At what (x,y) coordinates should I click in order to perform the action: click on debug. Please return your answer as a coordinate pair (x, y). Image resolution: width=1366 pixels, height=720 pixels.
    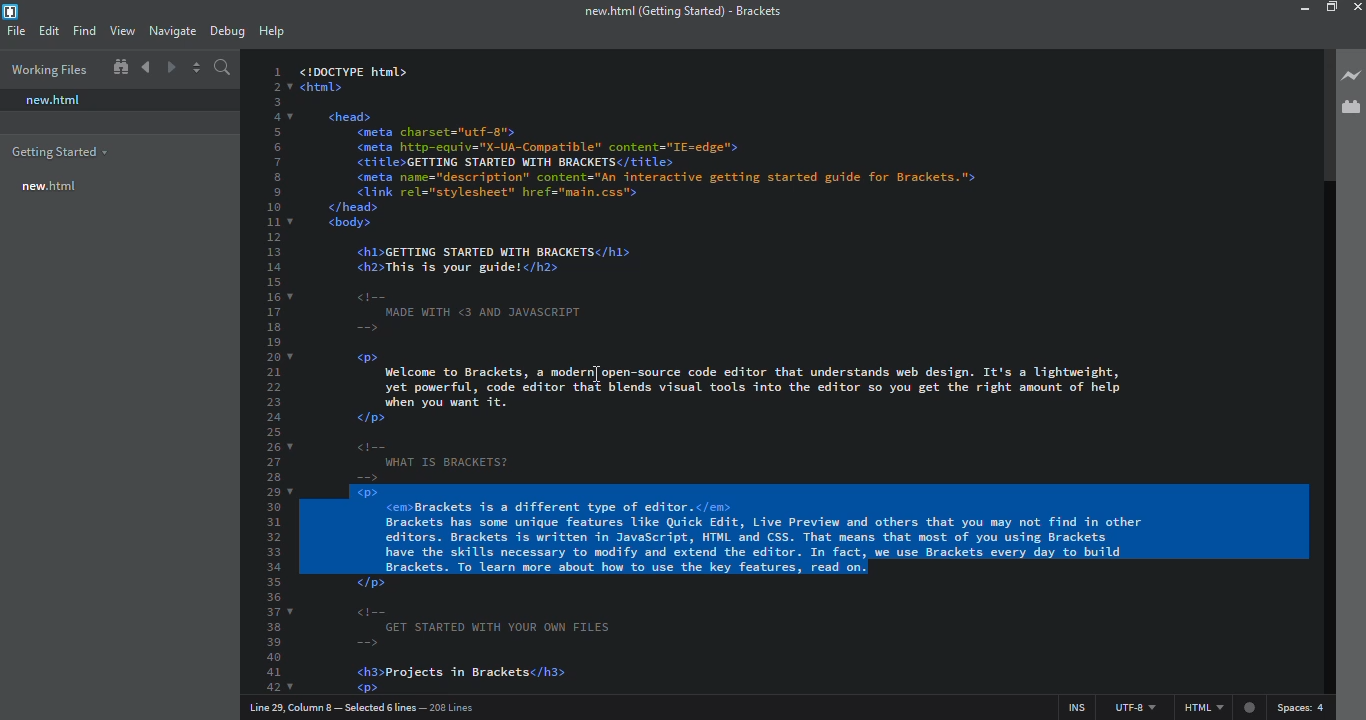
    Looking at the image, I should click on (224, 28).